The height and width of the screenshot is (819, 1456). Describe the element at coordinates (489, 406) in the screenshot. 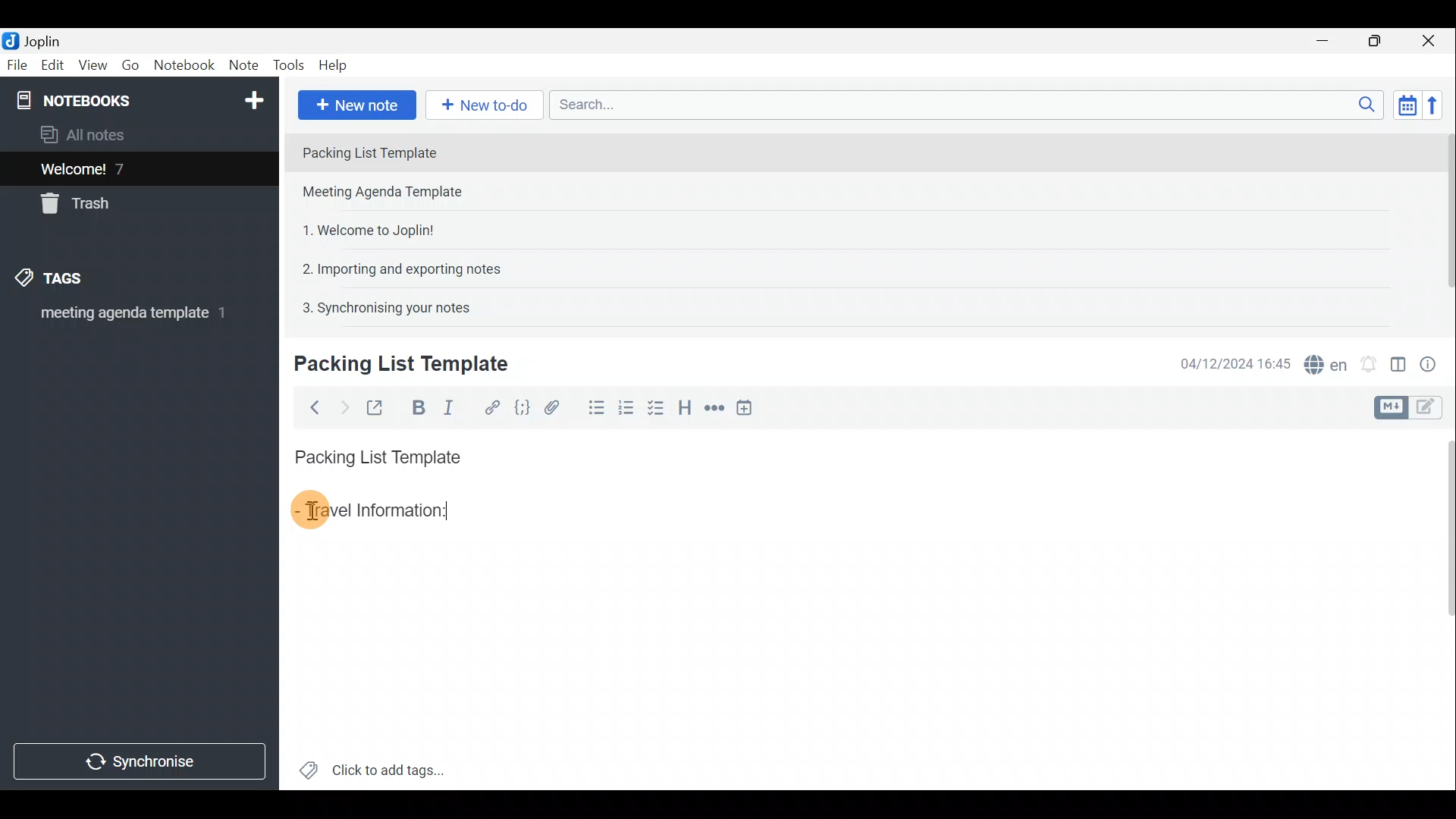

I see `Hyperlink` at that location.